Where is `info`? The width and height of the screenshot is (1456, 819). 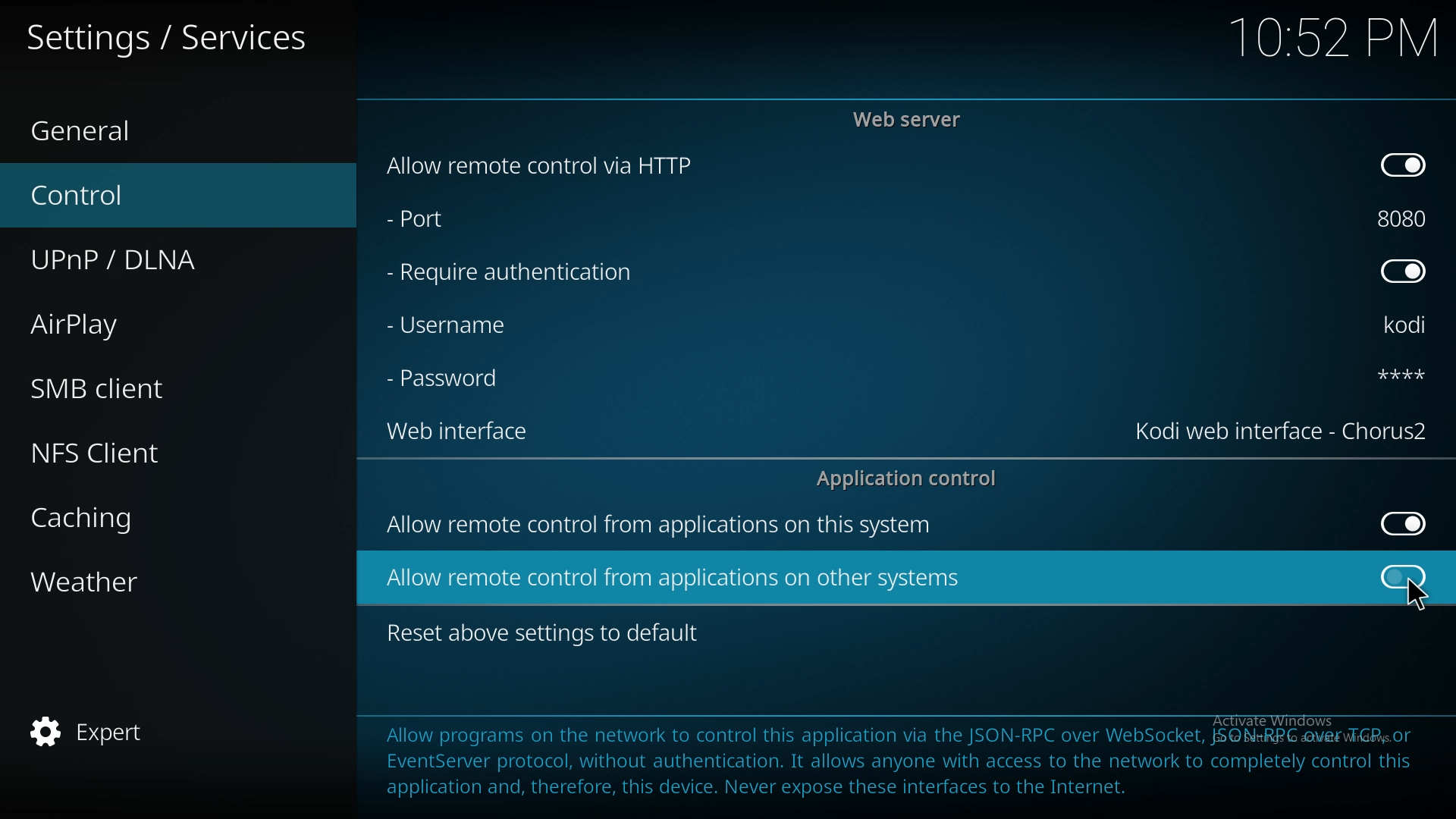
info is located at coordinates (896, 758).